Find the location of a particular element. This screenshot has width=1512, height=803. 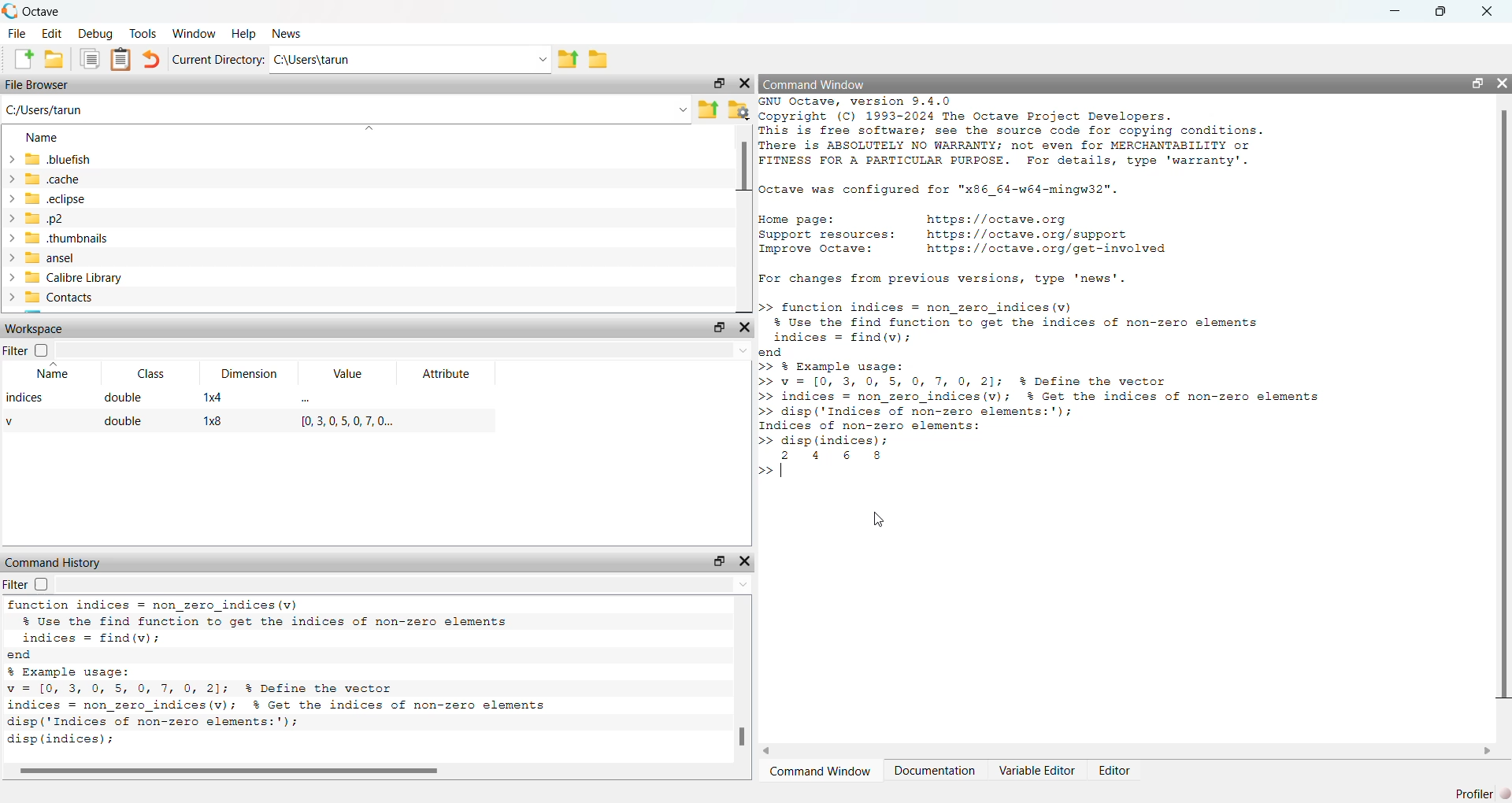

GNU Octave, version 9.4.0

Copyright (C) 1993-2024 The Octave Project Developers.

This is free software; see the source code for copying conditions.
There is ABSOLUTELY NO WARRANTY; not even for MERCHANTABILITY or
FITNESS FOR A PARTICULAR PURPOSE. For details, type 'warranty'.
Octave was configured for "x86_64-w64-mingw32".

Home page: https://octave.org

Support resources: https: //octave.org/support

Improve Octave: https://octave.org/get-involved

For changes from previous versions, type 'news'. is located at coordinates (1037, 191).